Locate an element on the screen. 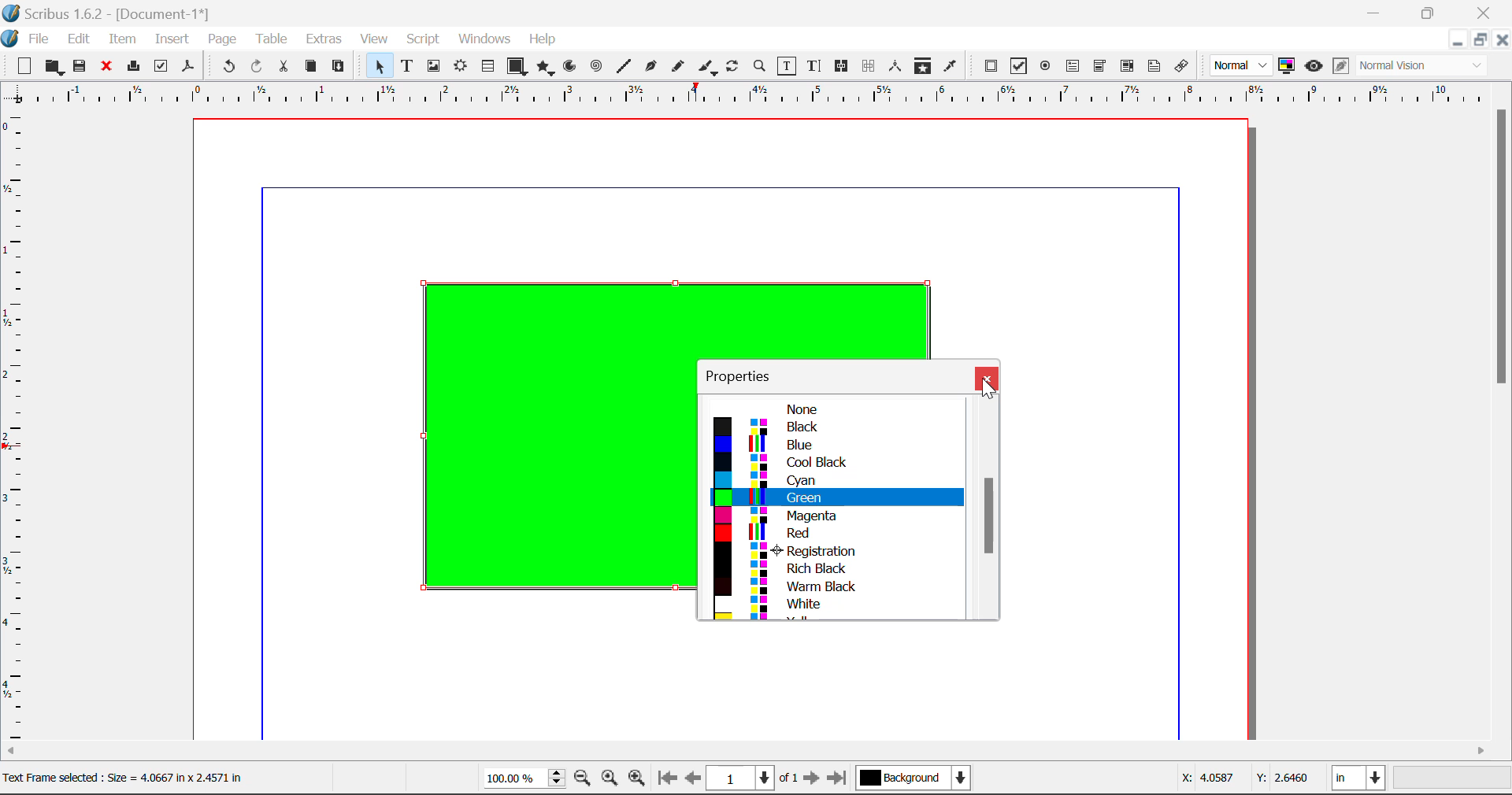 The image size is (1512, 795). Display Visual Appearance is located at coordinates (1428, 66).